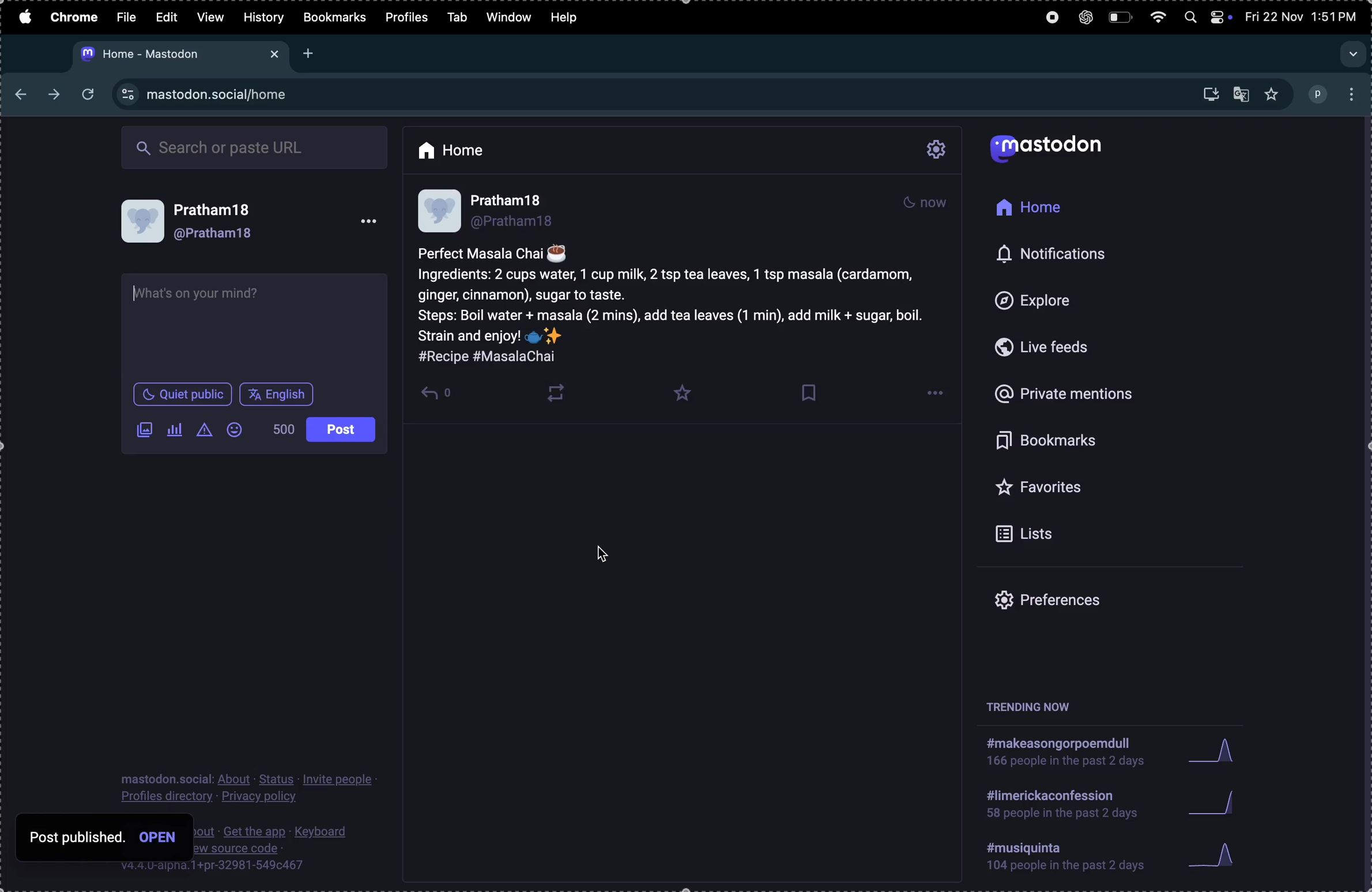  Describe the element at coordinates (1049, 18) in the screenshot. I see `record` at that location.